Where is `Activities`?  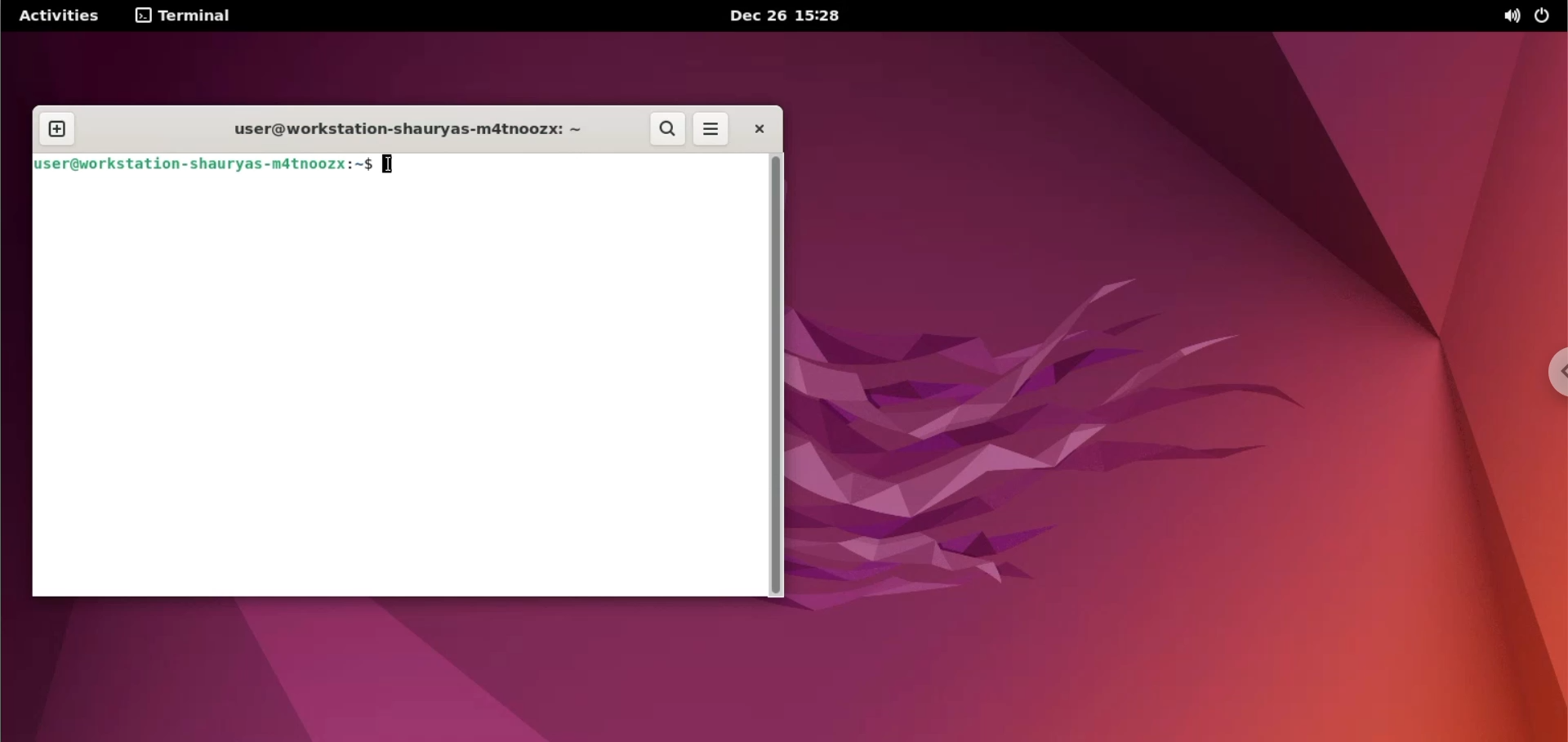 Activities is located at coordinates (60, 16).